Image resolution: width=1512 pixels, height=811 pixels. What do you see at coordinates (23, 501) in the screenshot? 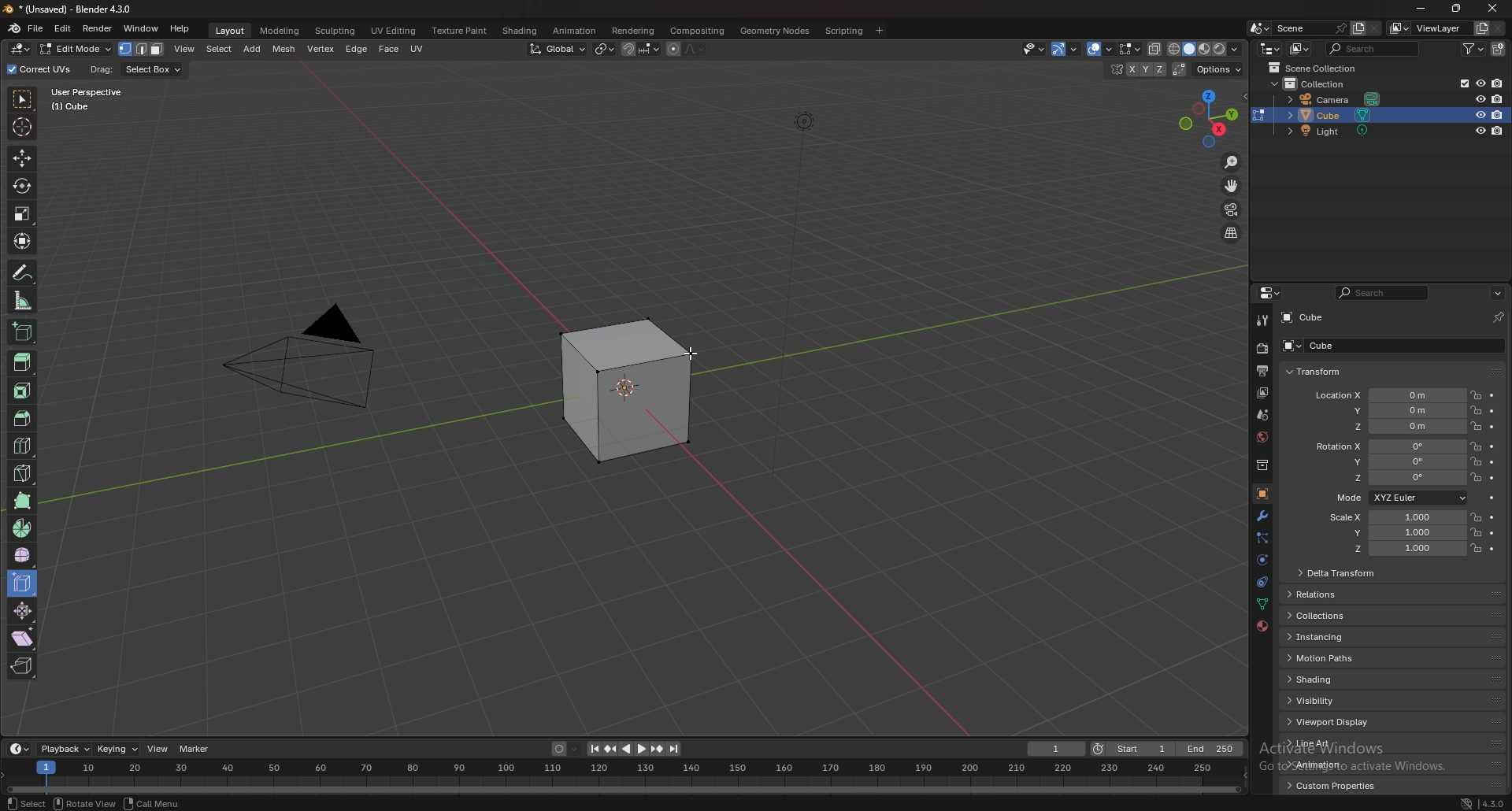
I see `poly build` at bounding box center [23, 501].